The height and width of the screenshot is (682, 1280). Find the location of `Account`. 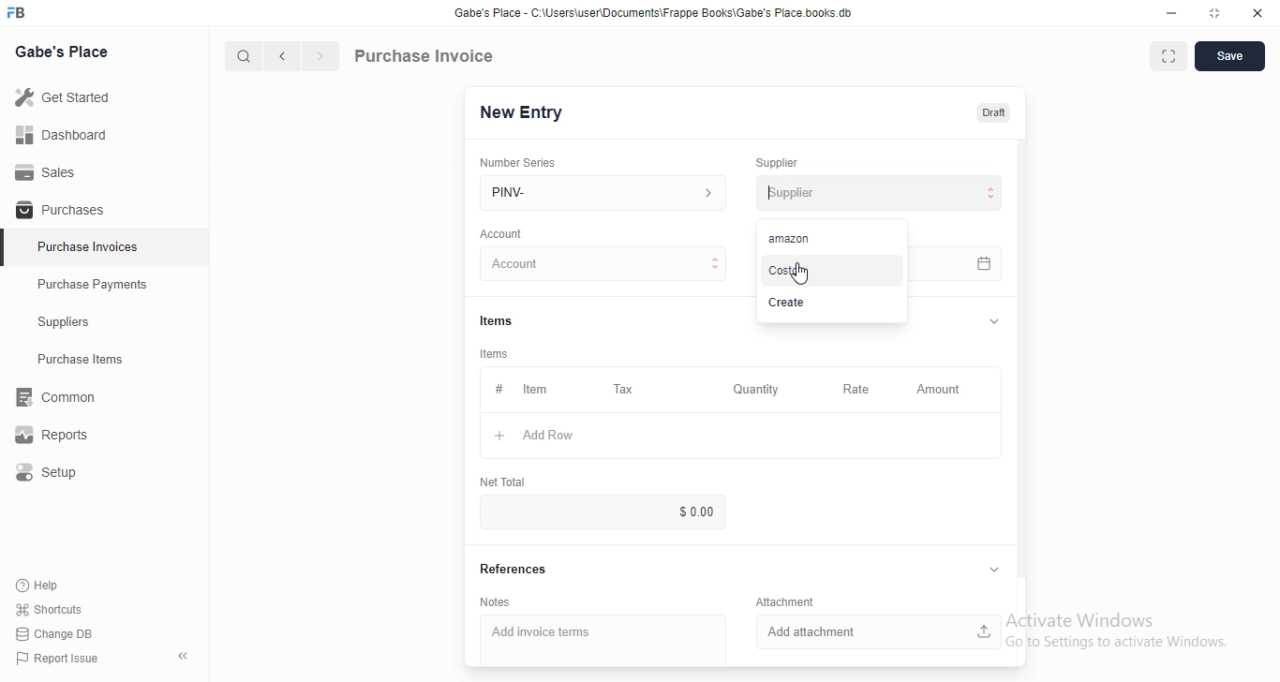

Account is located at coordinates (603, 263).